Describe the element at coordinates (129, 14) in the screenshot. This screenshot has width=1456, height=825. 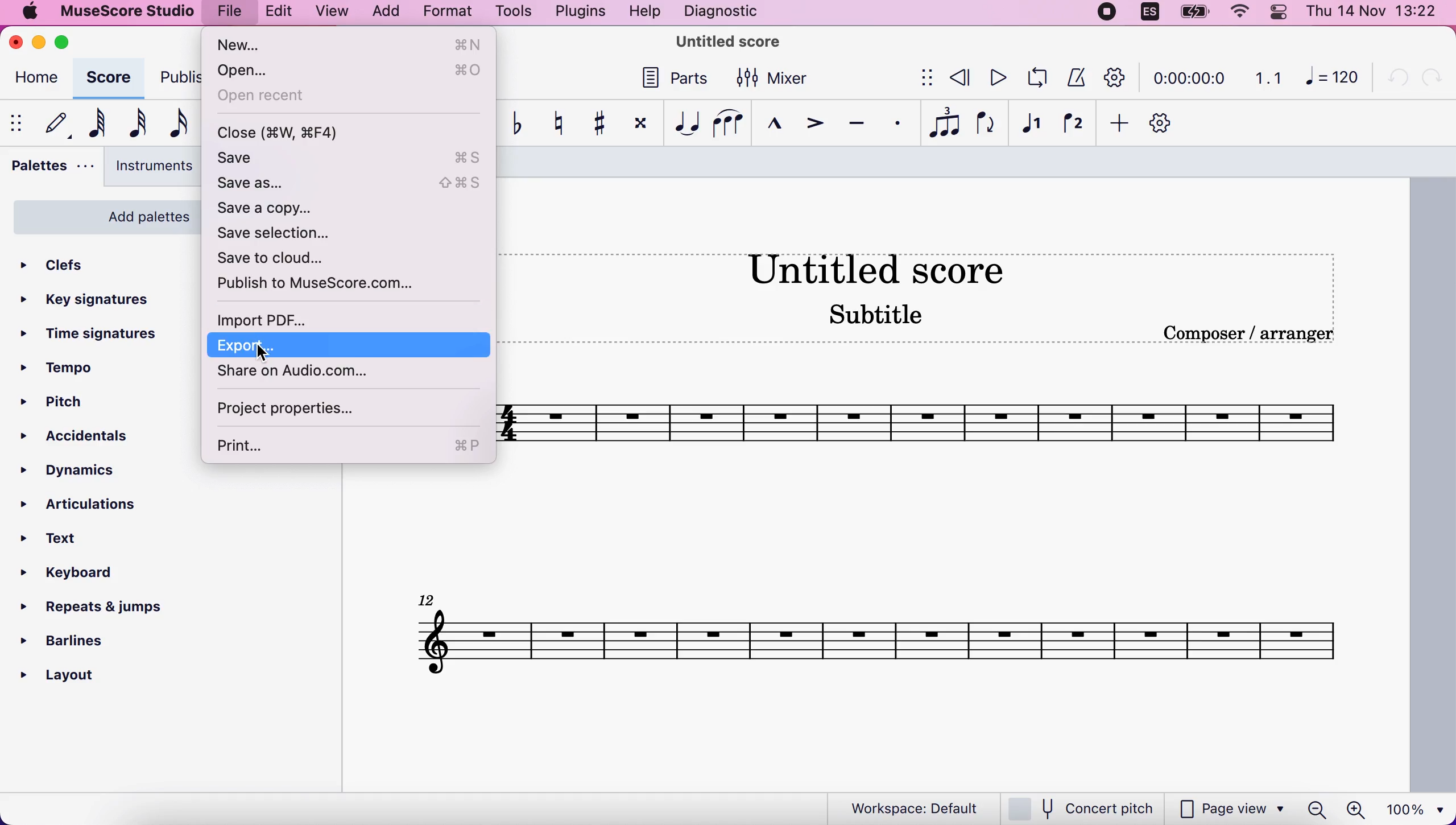
I see `musescore studio` at that location.